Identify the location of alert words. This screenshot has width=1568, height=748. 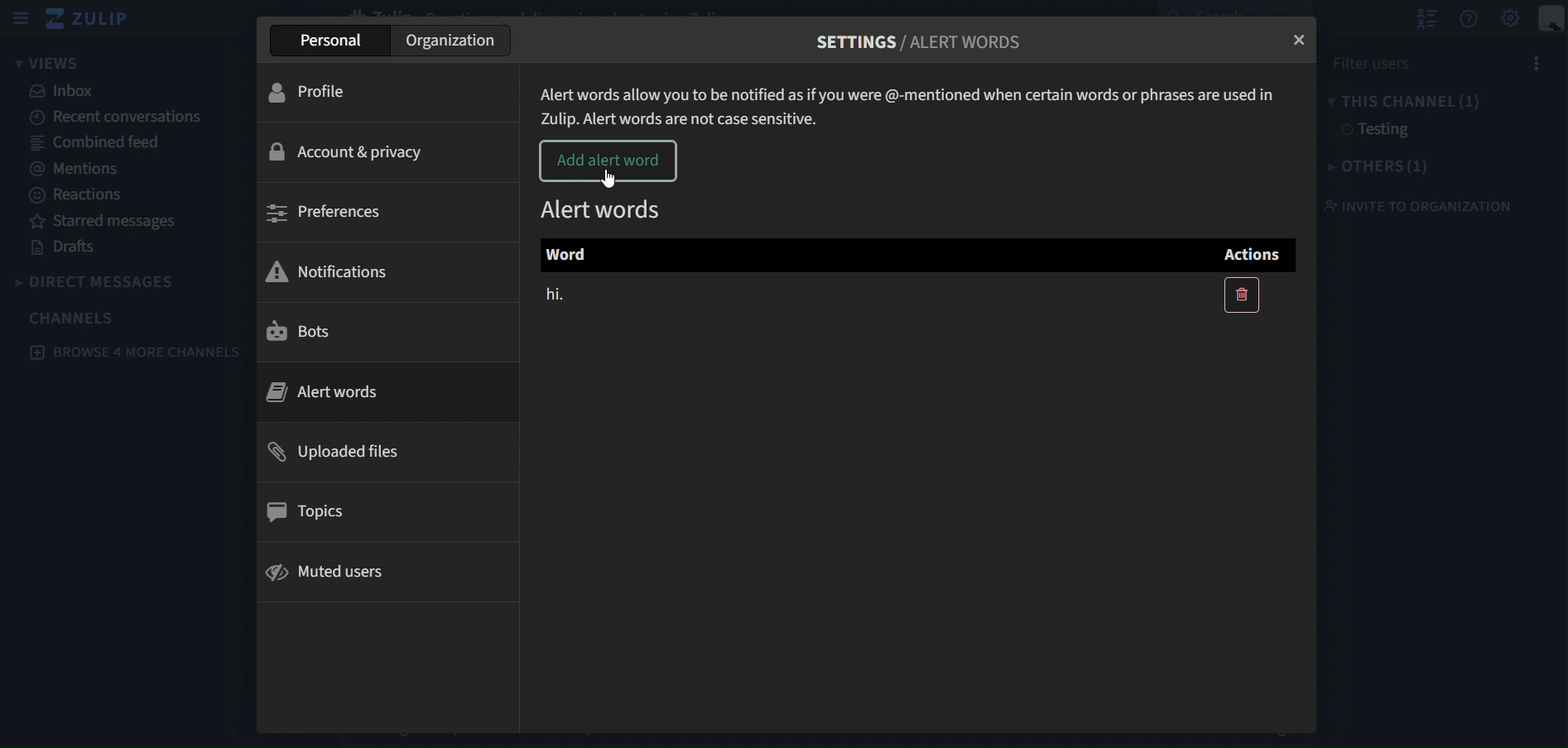
(613, 206).